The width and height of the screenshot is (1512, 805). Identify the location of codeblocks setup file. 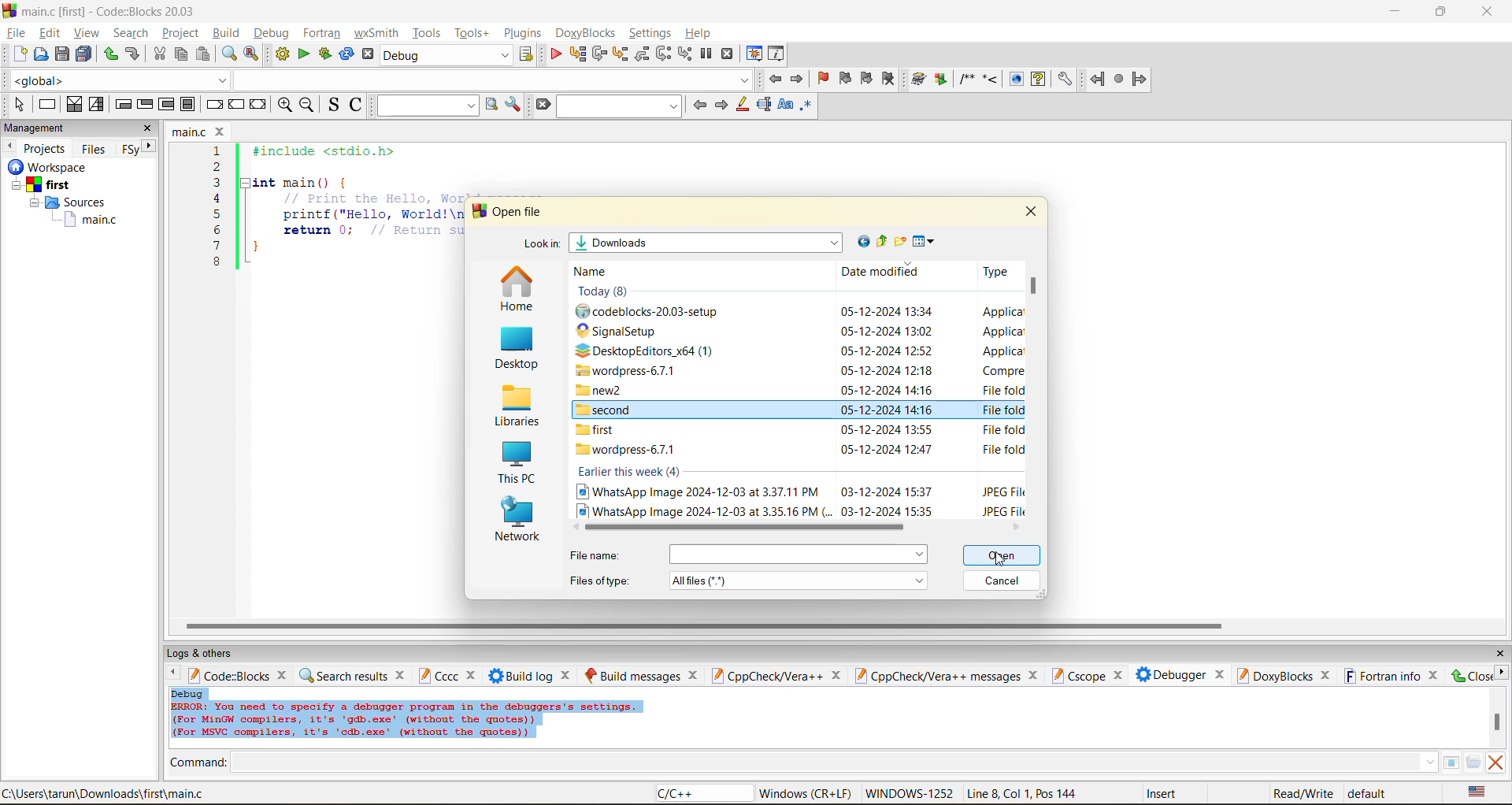
(654, 312).